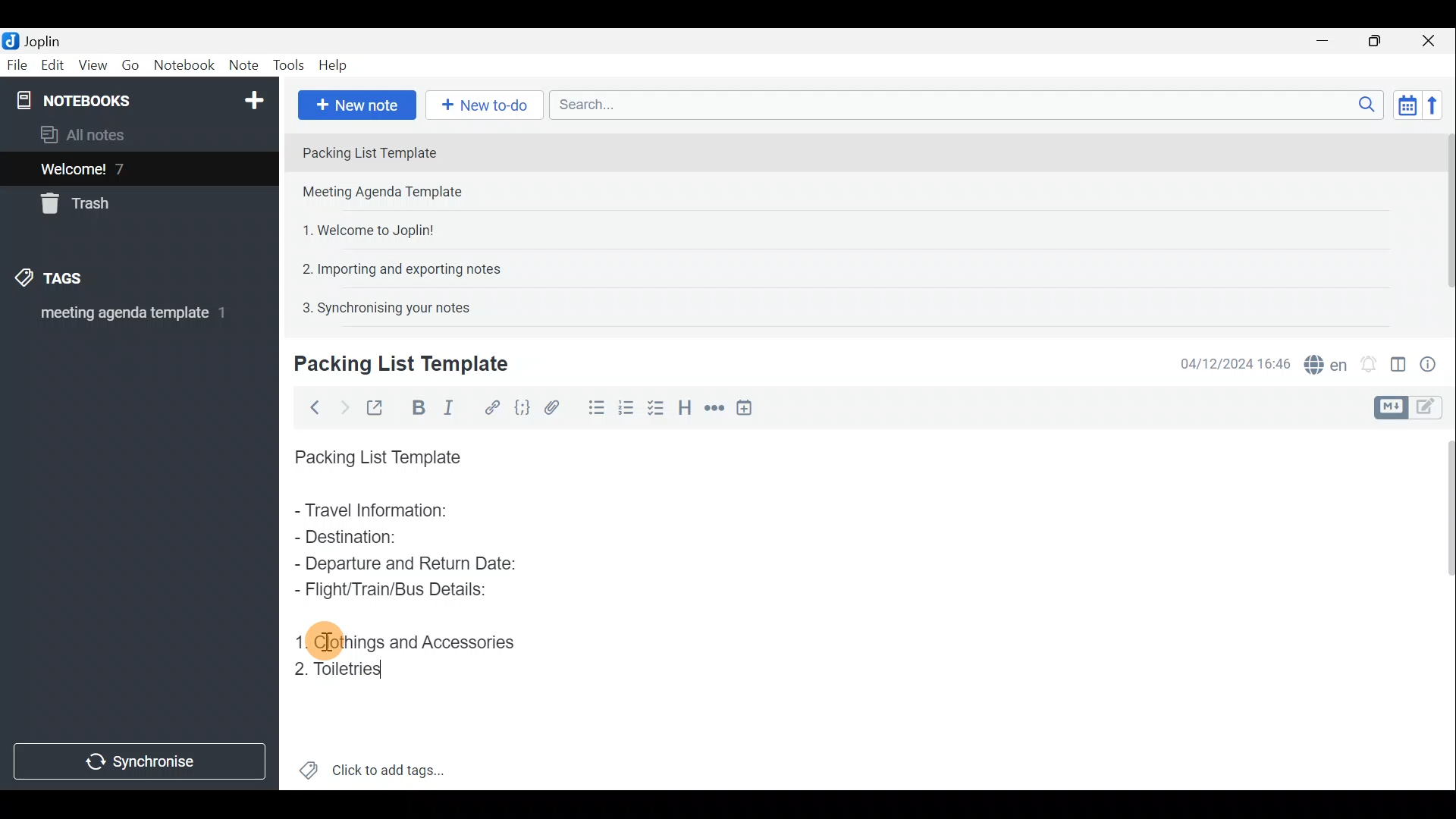 This screenshot has width=1456, height=819. What do you see at coordinates (749, 407) in the screenshot?
I see `Insert time` at bounding box center [749, 407].